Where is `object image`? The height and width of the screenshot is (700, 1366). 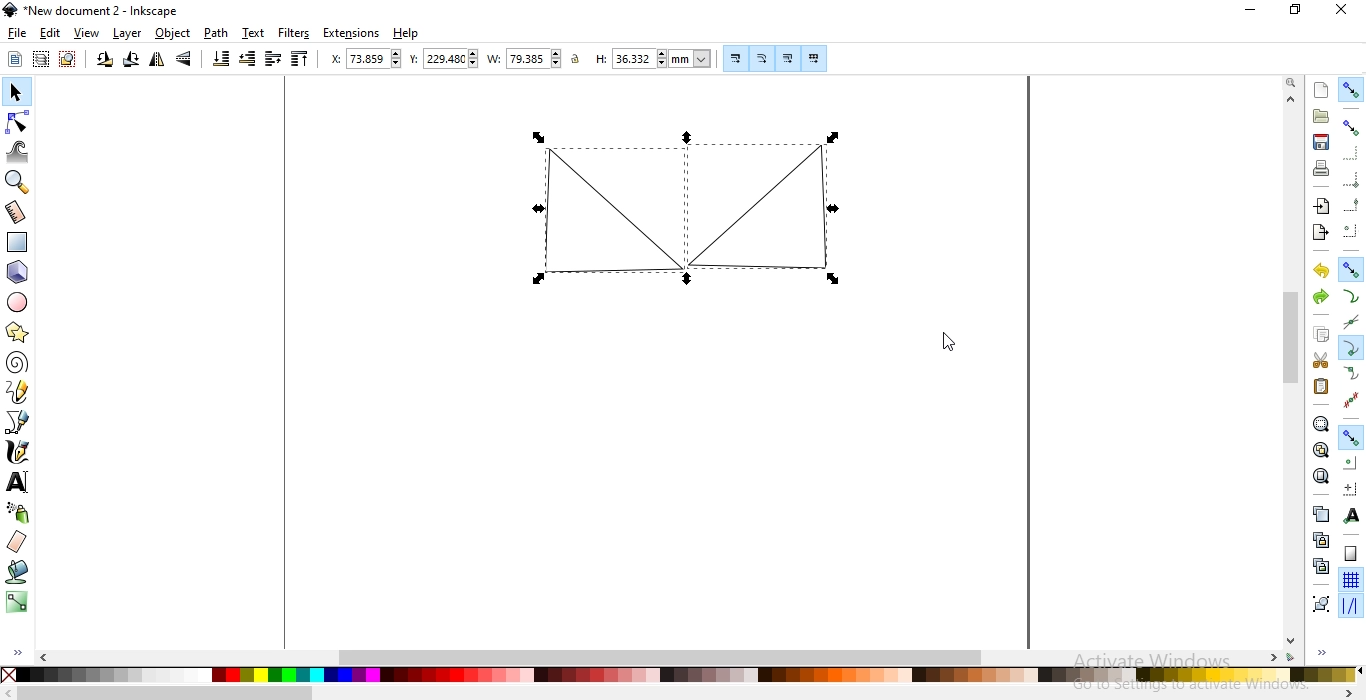
object image is located at coordinates (779, 206).